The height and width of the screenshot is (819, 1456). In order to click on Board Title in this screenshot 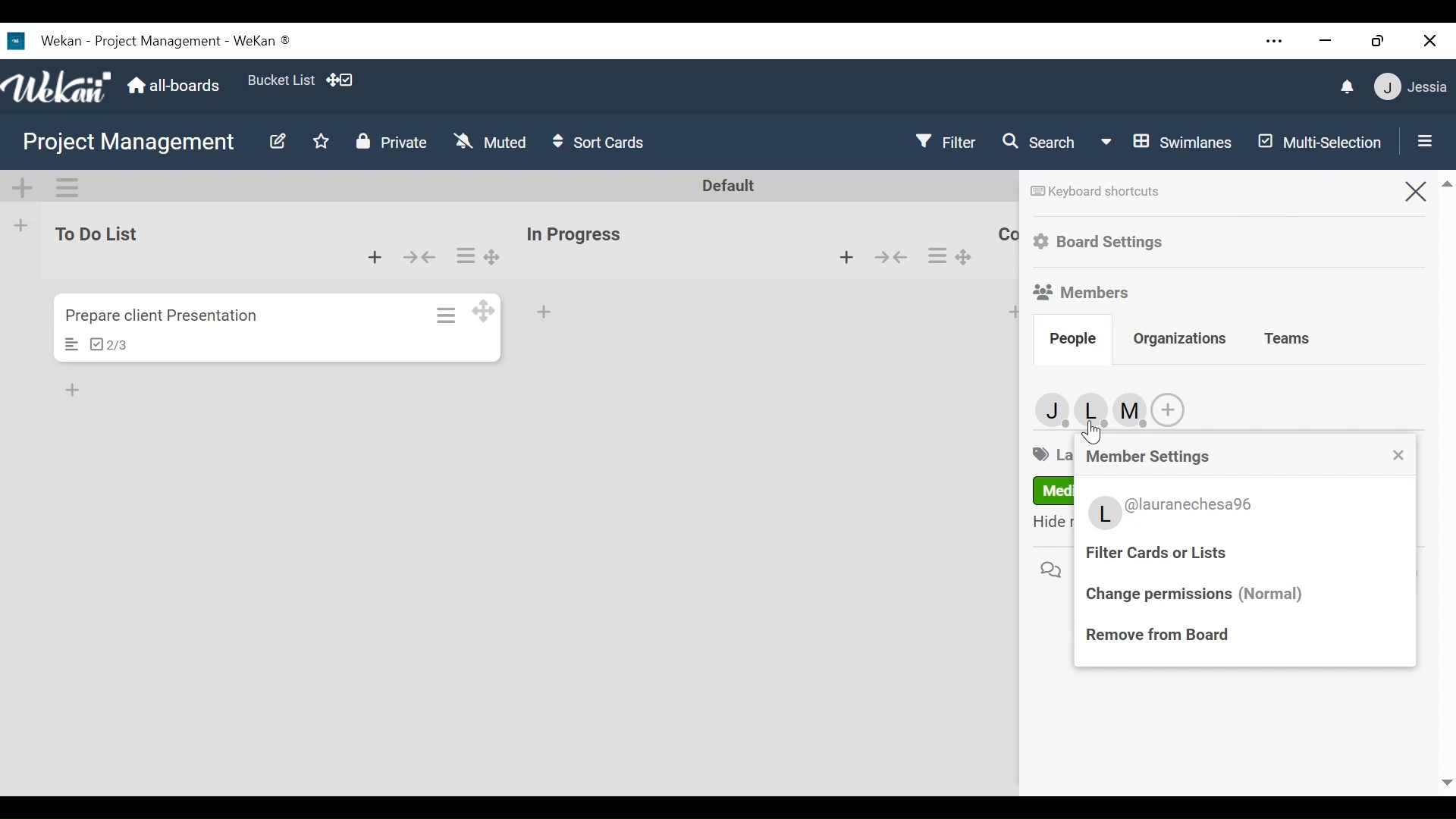, I will do `click(128, 142)`.